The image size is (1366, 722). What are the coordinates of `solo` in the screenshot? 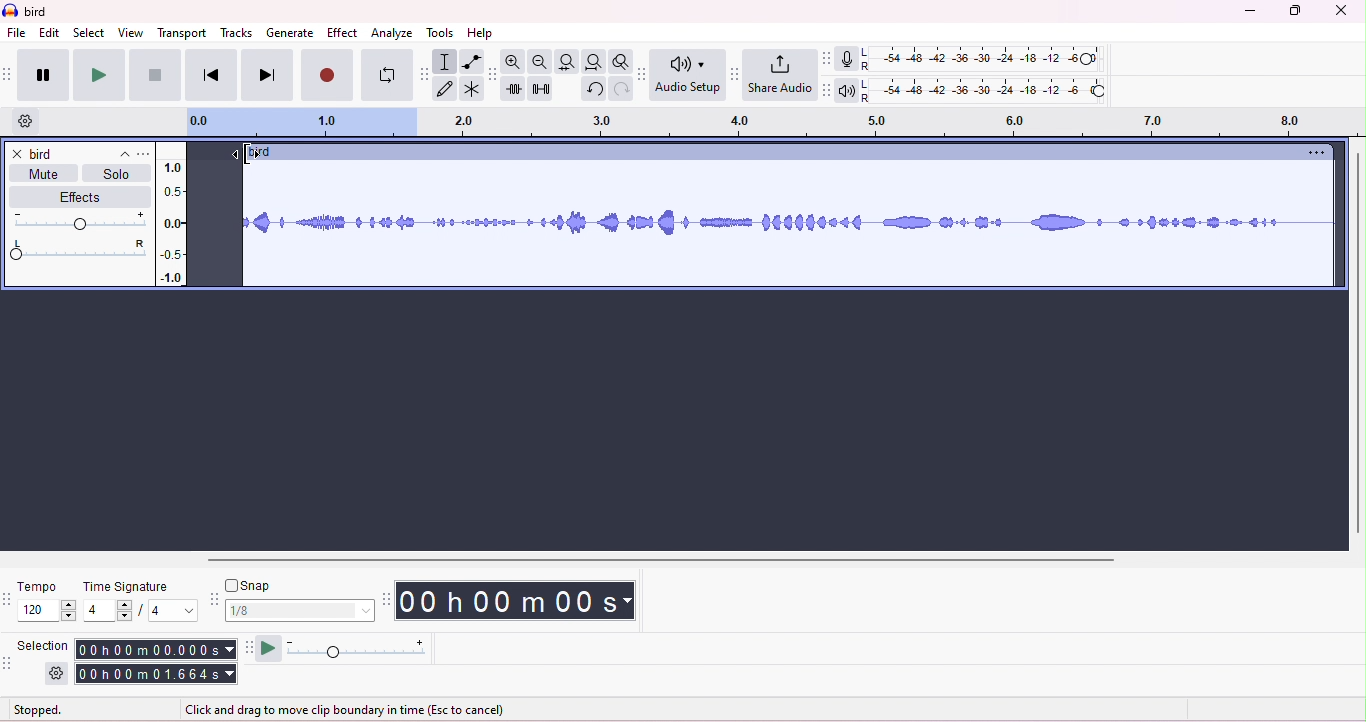 It's located at (116, 177).